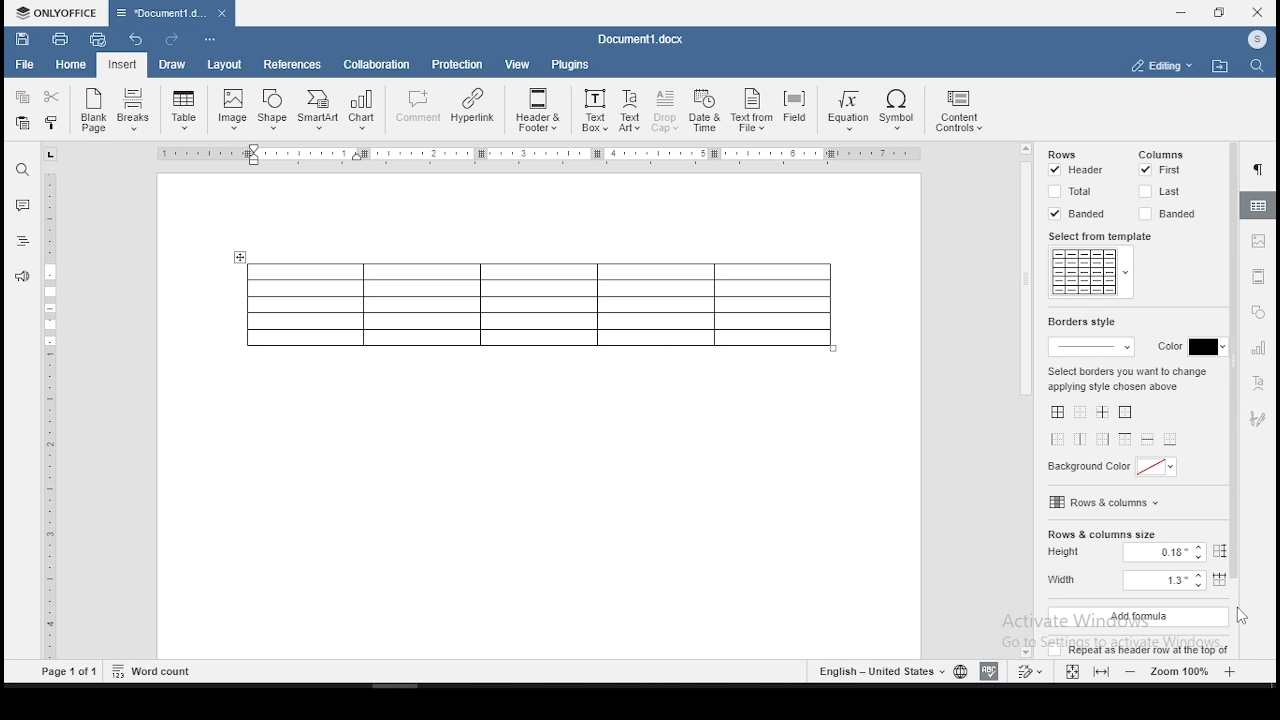  Describe the element at coordinates (223, 65) in the screenshot. I see `layout` at that location.